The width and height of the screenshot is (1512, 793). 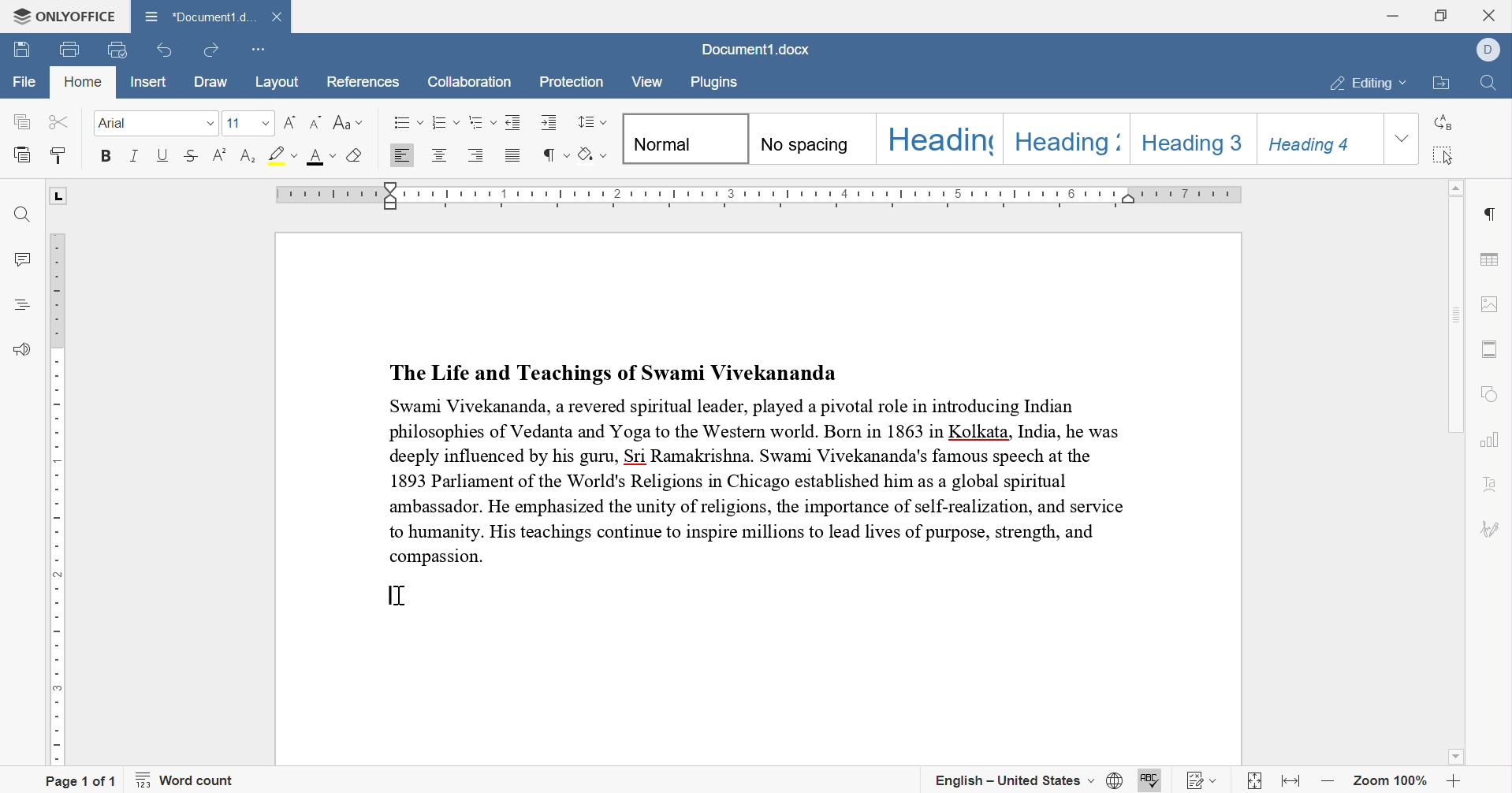 I want to click on ONLYOFFICE, so click(x=65, y=17).